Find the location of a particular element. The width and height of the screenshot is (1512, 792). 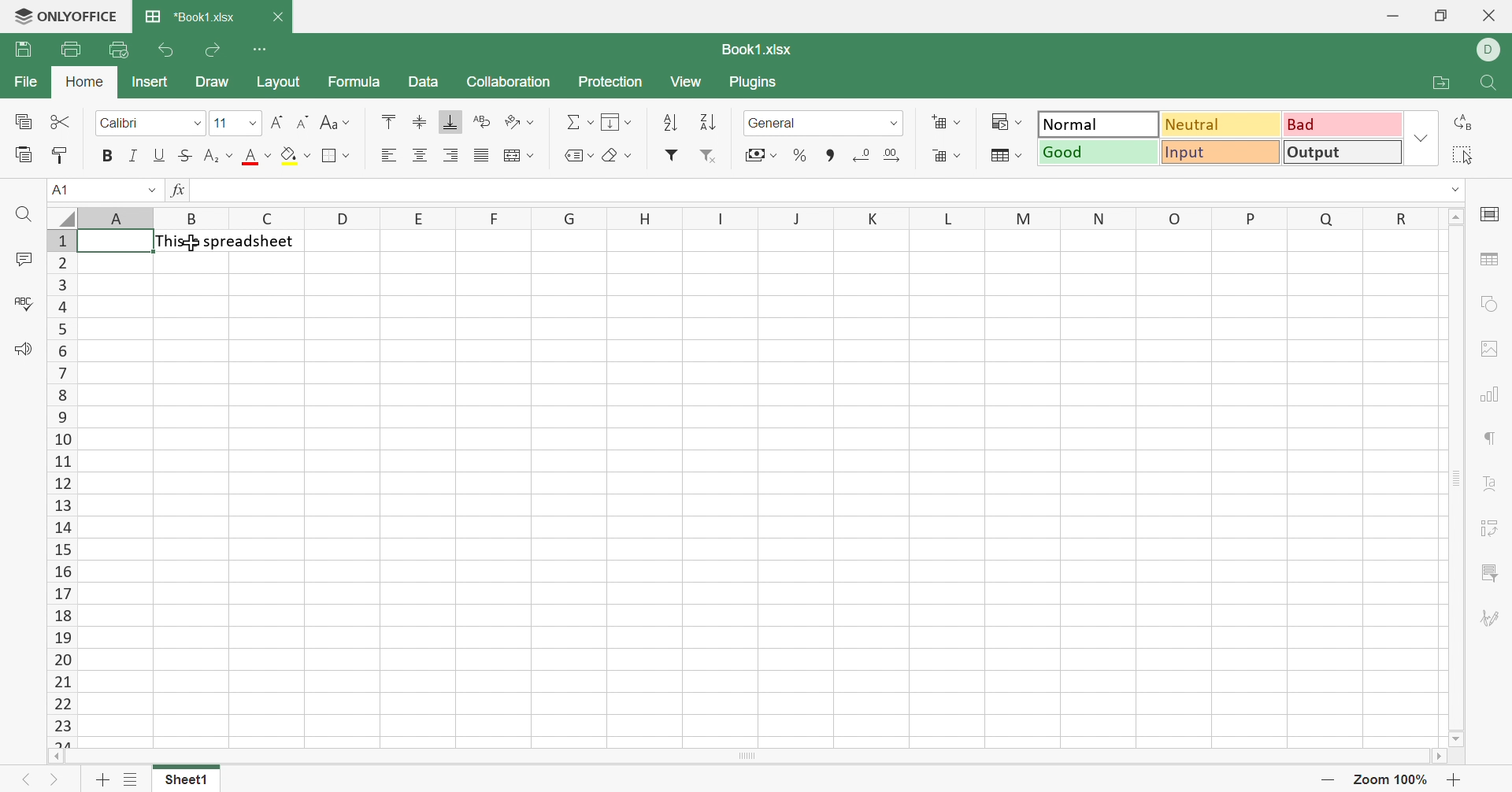

Layout is located at coordinates (282, 81).